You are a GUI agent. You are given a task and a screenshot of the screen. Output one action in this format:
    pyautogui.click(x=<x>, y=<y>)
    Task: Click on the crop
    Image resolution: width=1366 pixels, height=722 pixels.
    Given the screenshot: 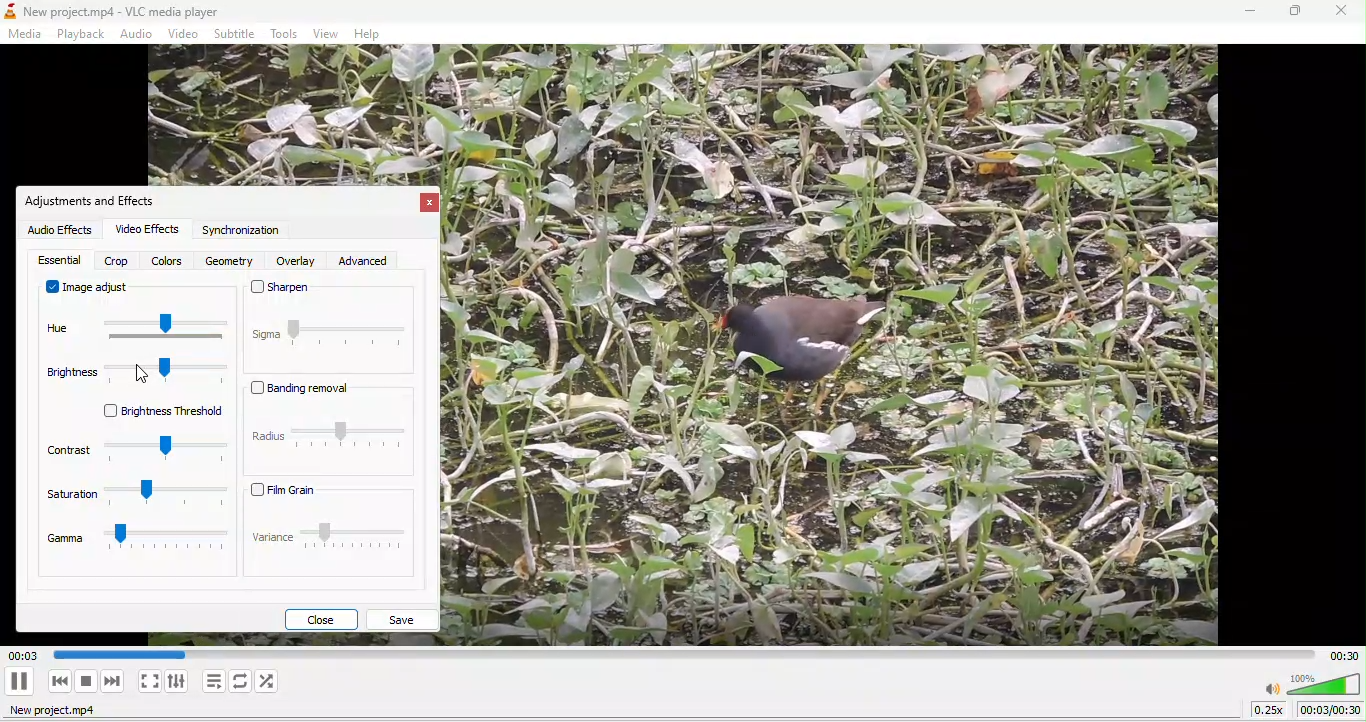 What is the action you would take?
    pyautogui.click(x=116, y=262)
    